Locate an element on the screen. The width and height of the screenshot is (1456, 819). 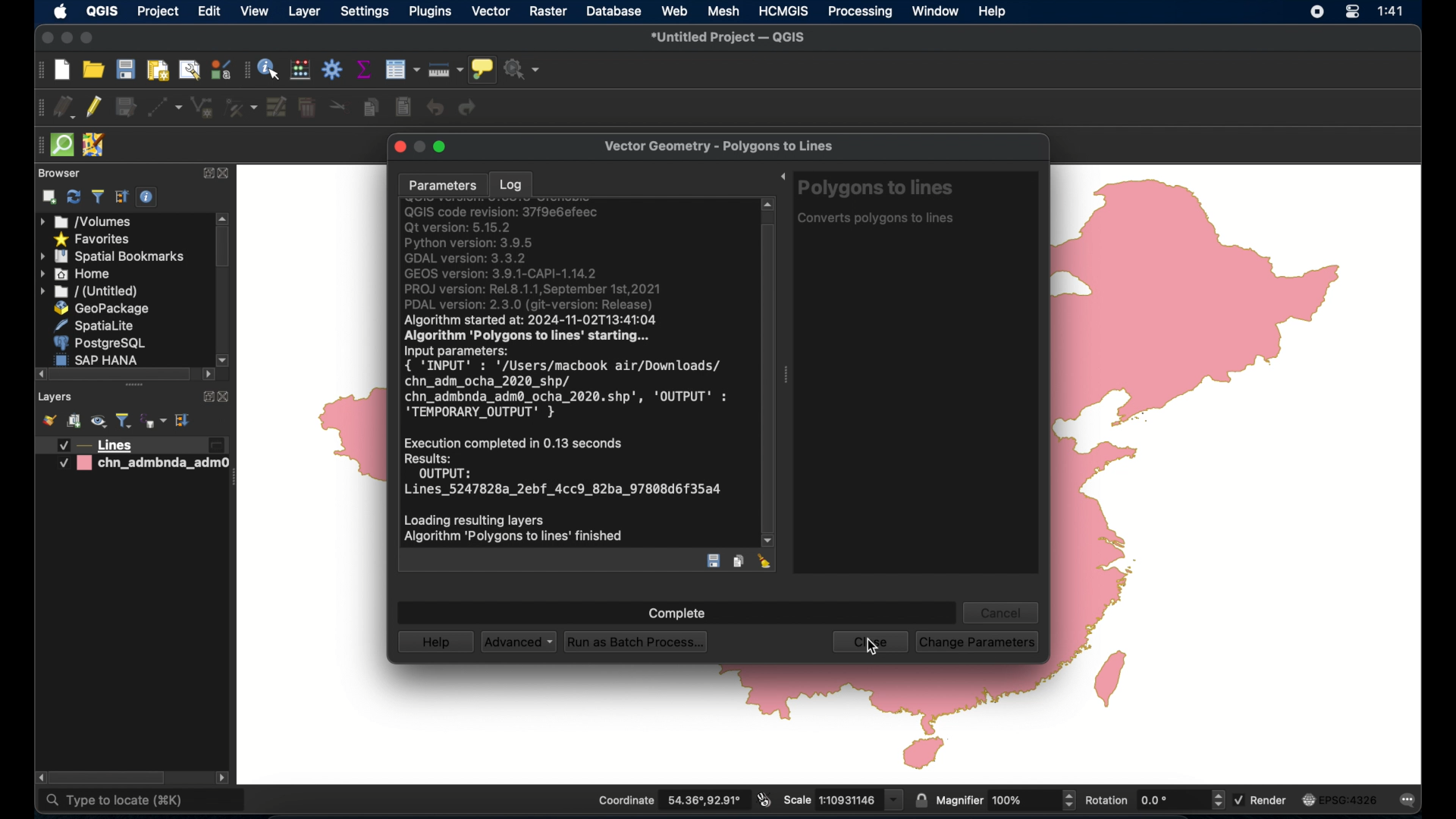
scroll down arrow is located at coordinates (224, 359).